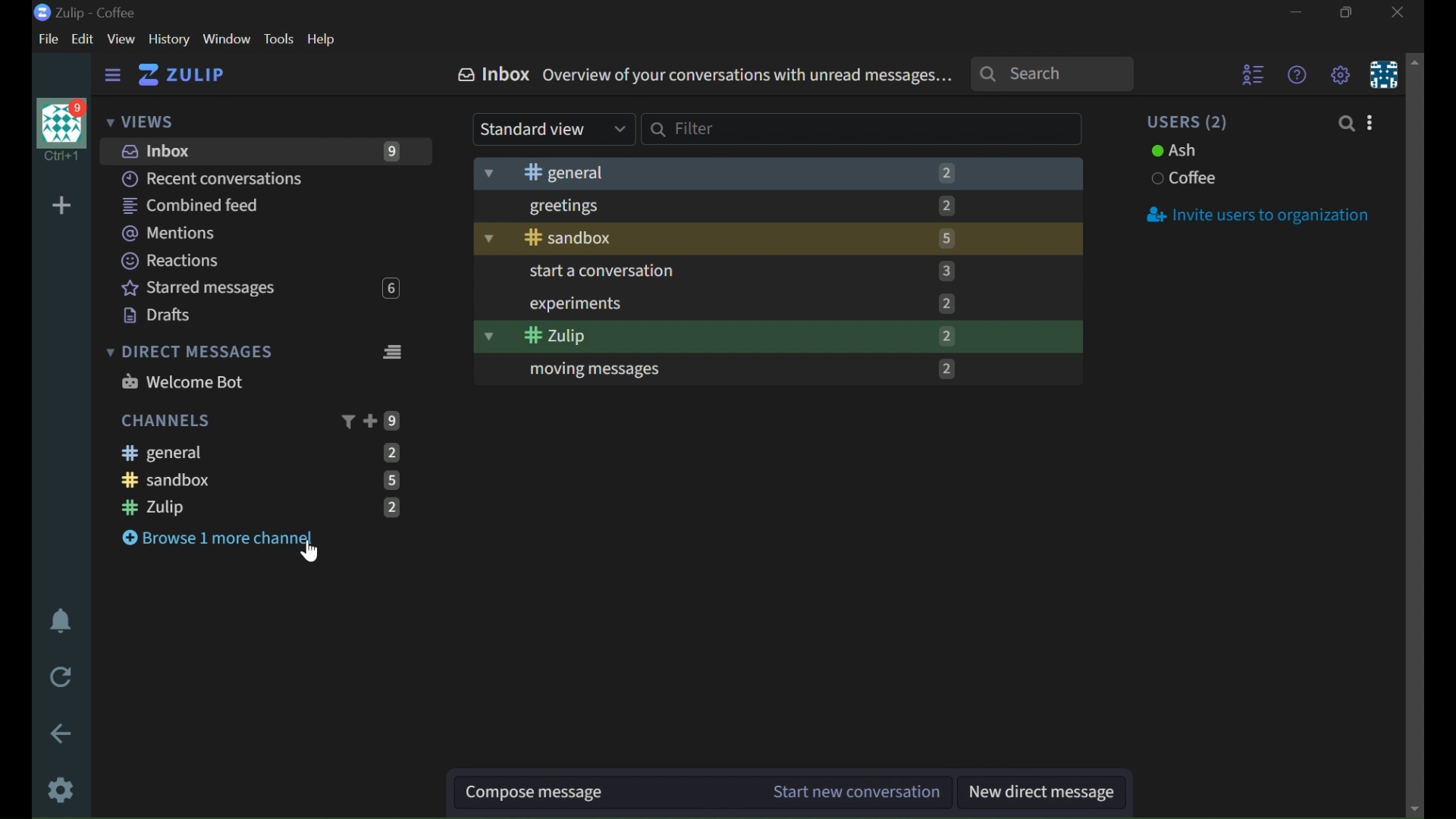 The width and height of the screenshot is (1456, 819). Describe the element at coordinates (1296, 74) in the screenshot. I see `HELP MENU` at that location.